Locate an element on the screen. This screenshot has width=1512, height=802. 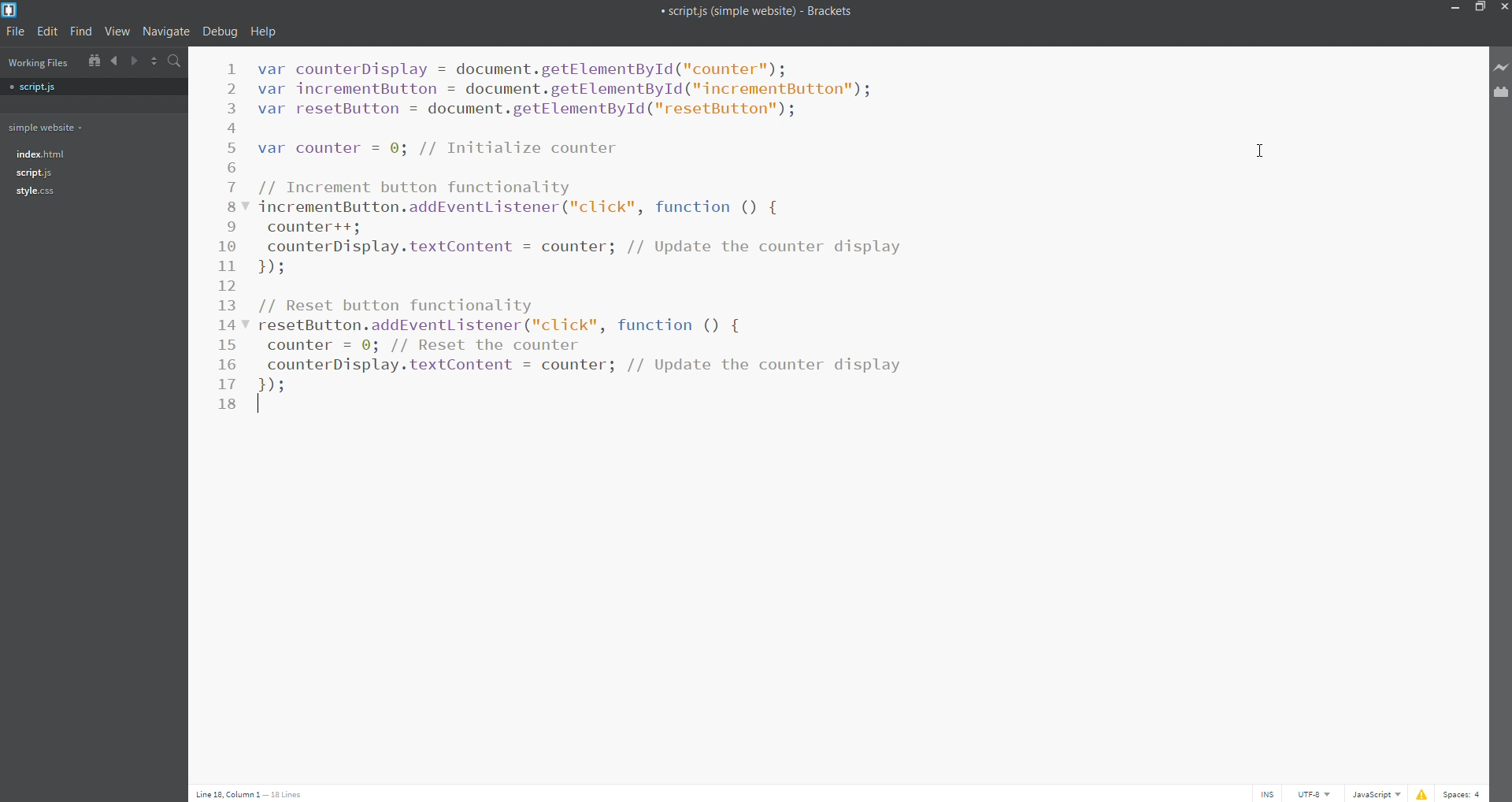
script.js is located at coordinates (35, 173).